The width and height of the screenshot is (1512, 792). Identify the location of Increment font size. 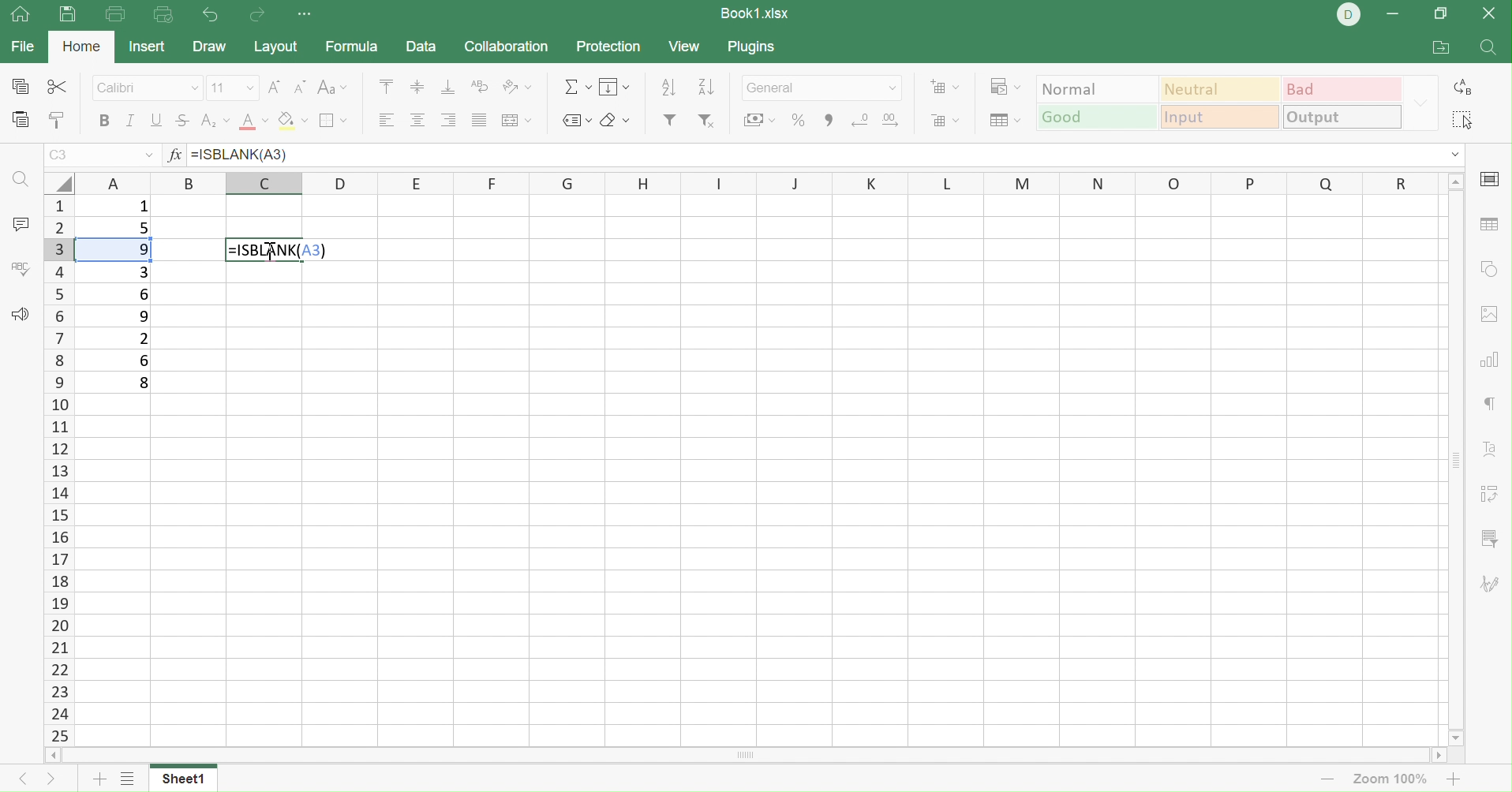
(273, 87).